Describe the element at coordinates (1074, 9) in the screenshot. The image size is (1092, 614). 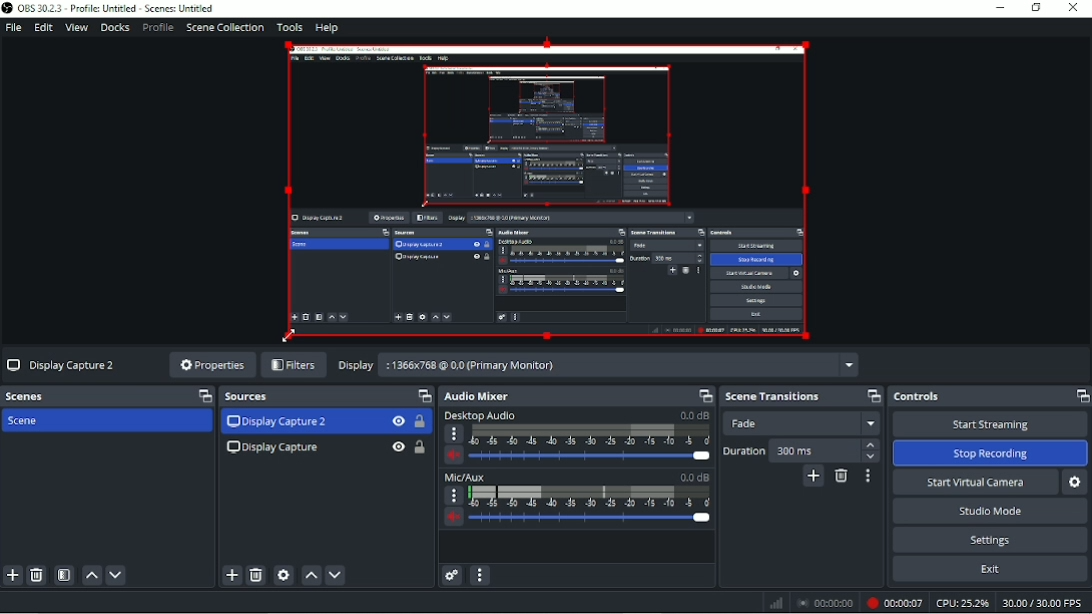
I see `Close` at that location.